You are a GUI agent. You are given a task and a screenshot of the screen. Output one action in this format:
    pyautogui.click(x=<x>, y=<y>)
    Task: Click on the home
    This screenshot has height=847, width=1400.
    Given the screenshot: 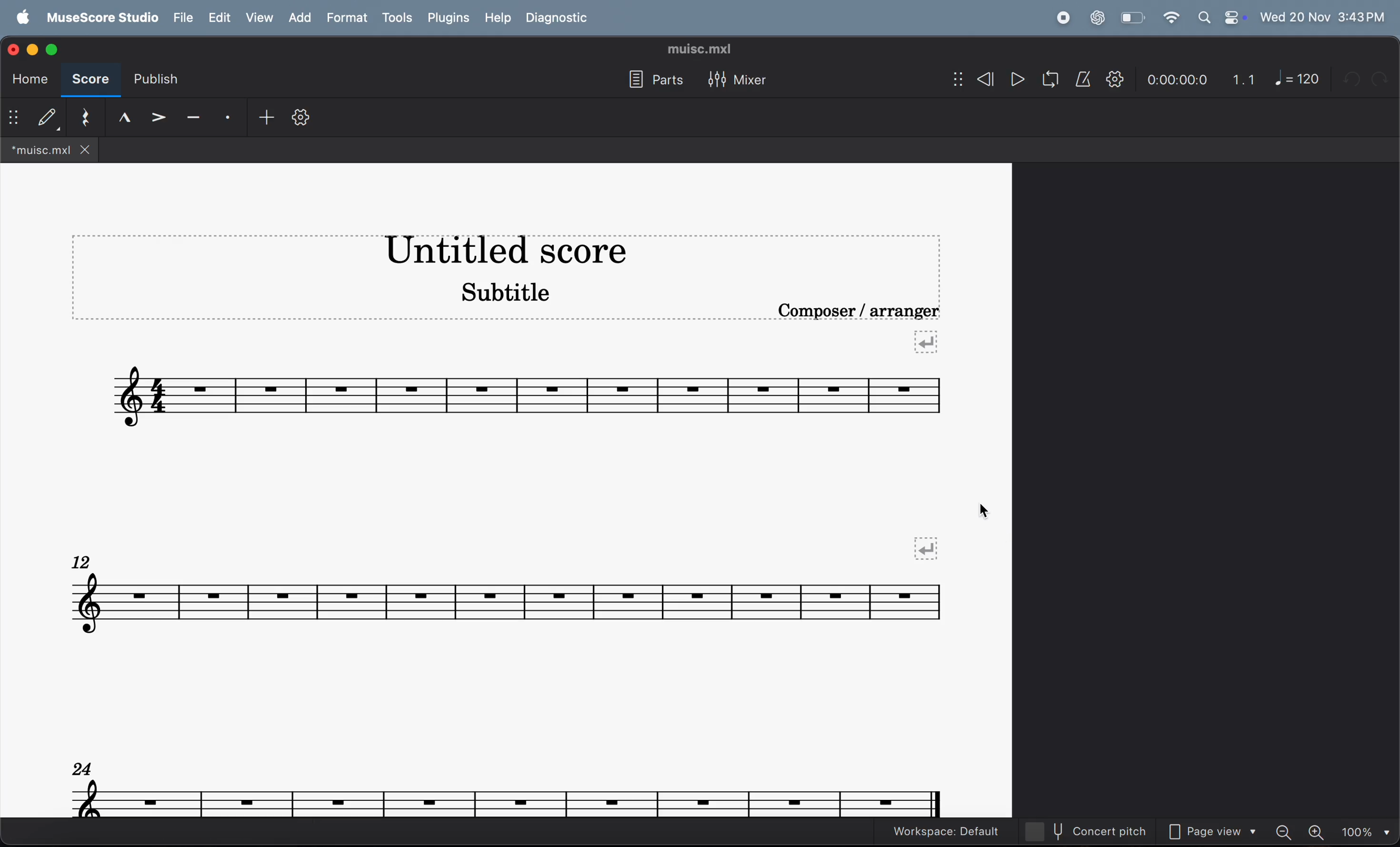 What is the action you would take?
    pyautogui.click(x=28, y=81)
    